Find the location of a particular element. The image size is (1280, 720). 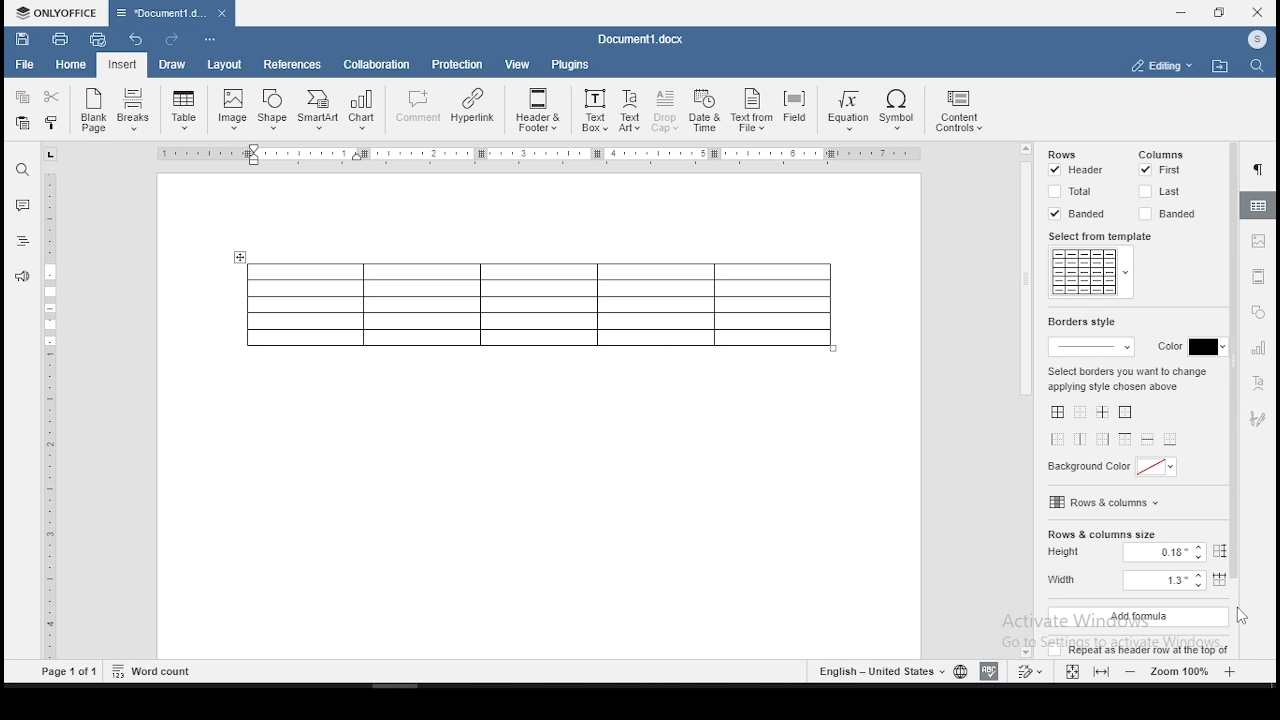

Field is located at coordinates (794, 108).